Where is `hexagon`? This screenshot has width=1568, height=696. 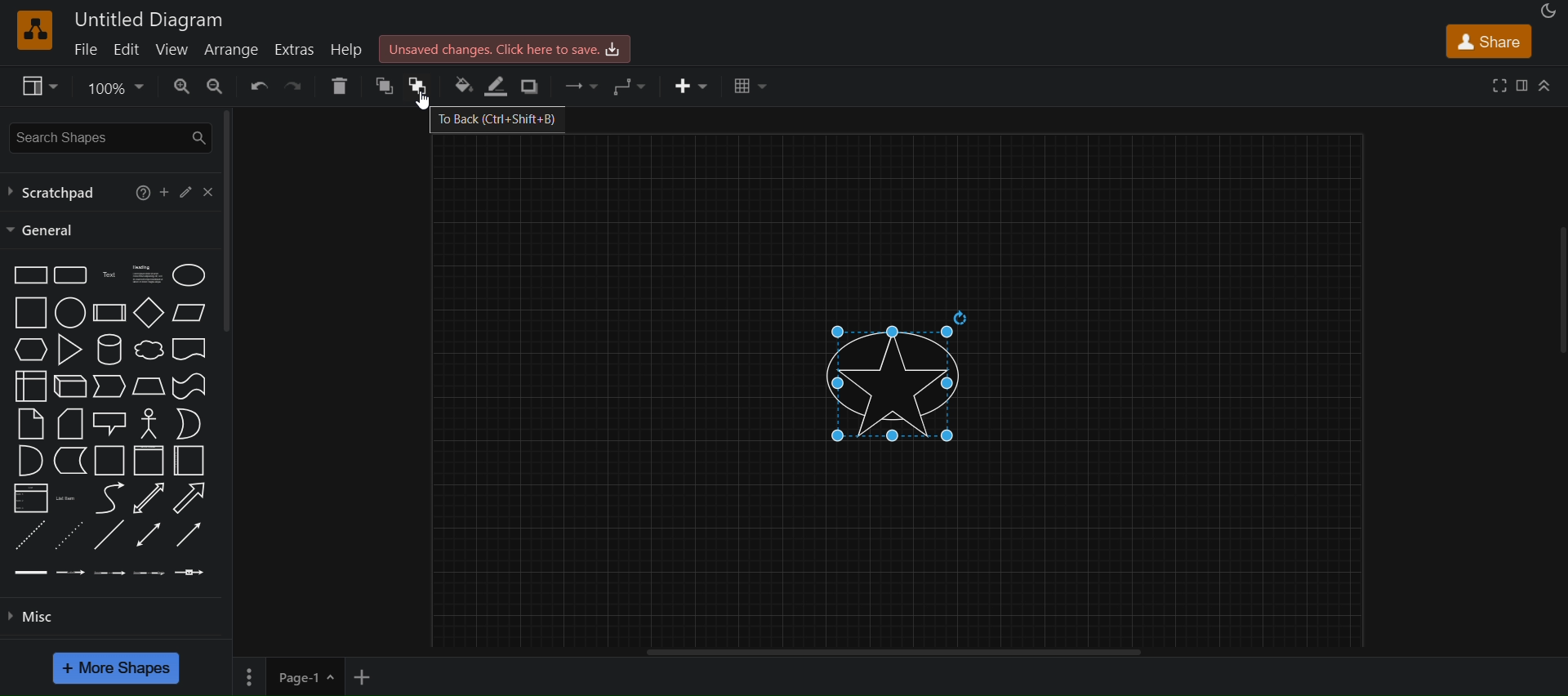
hexagon is located at coordinates (32, 348).